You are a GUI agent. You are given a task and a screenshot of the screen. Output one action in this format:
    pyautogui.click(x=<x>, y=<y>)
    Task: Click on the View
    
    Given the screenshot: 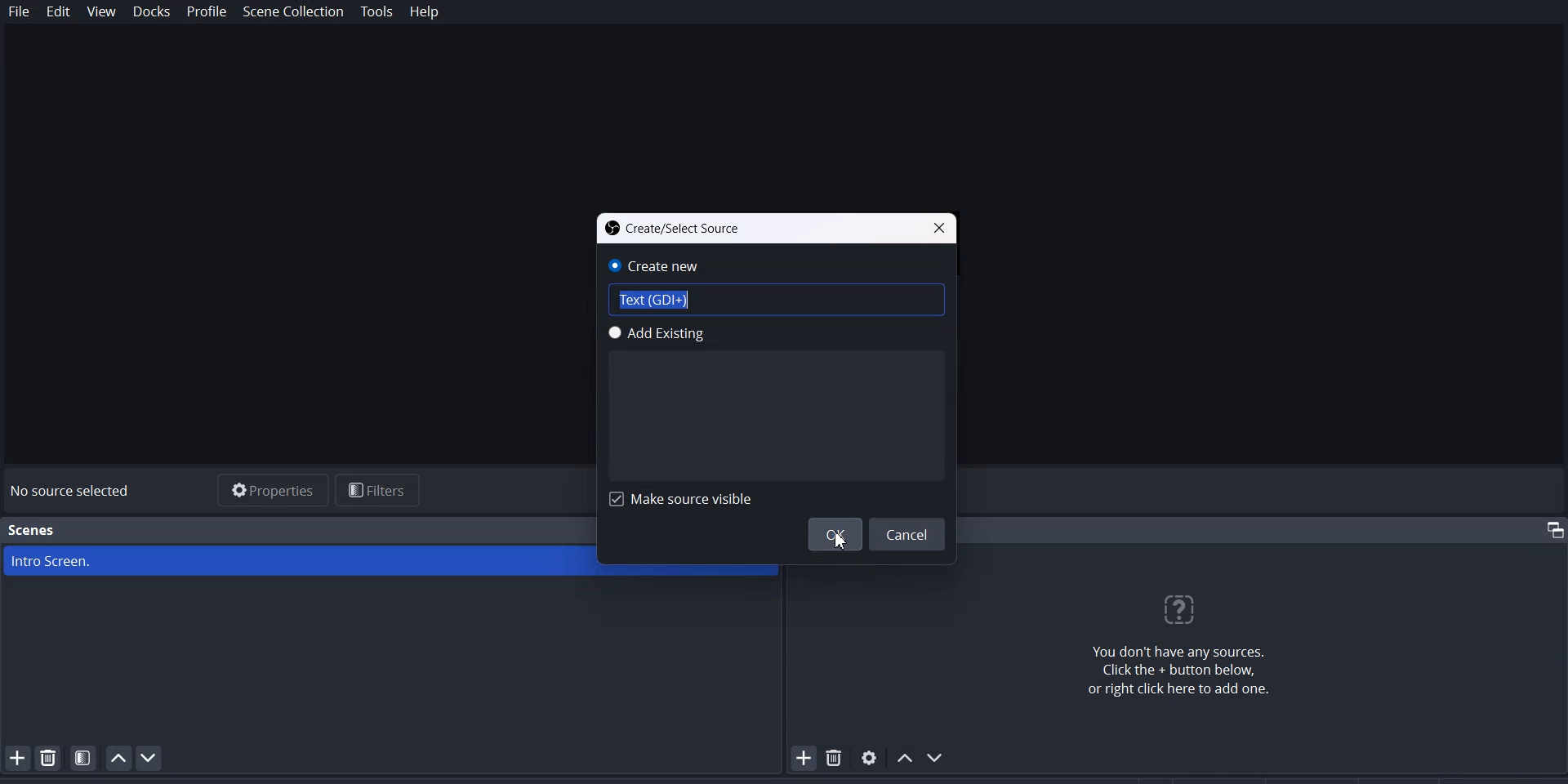 What is the action you would take?
    pyautogui.click(x=102, y=12)
    